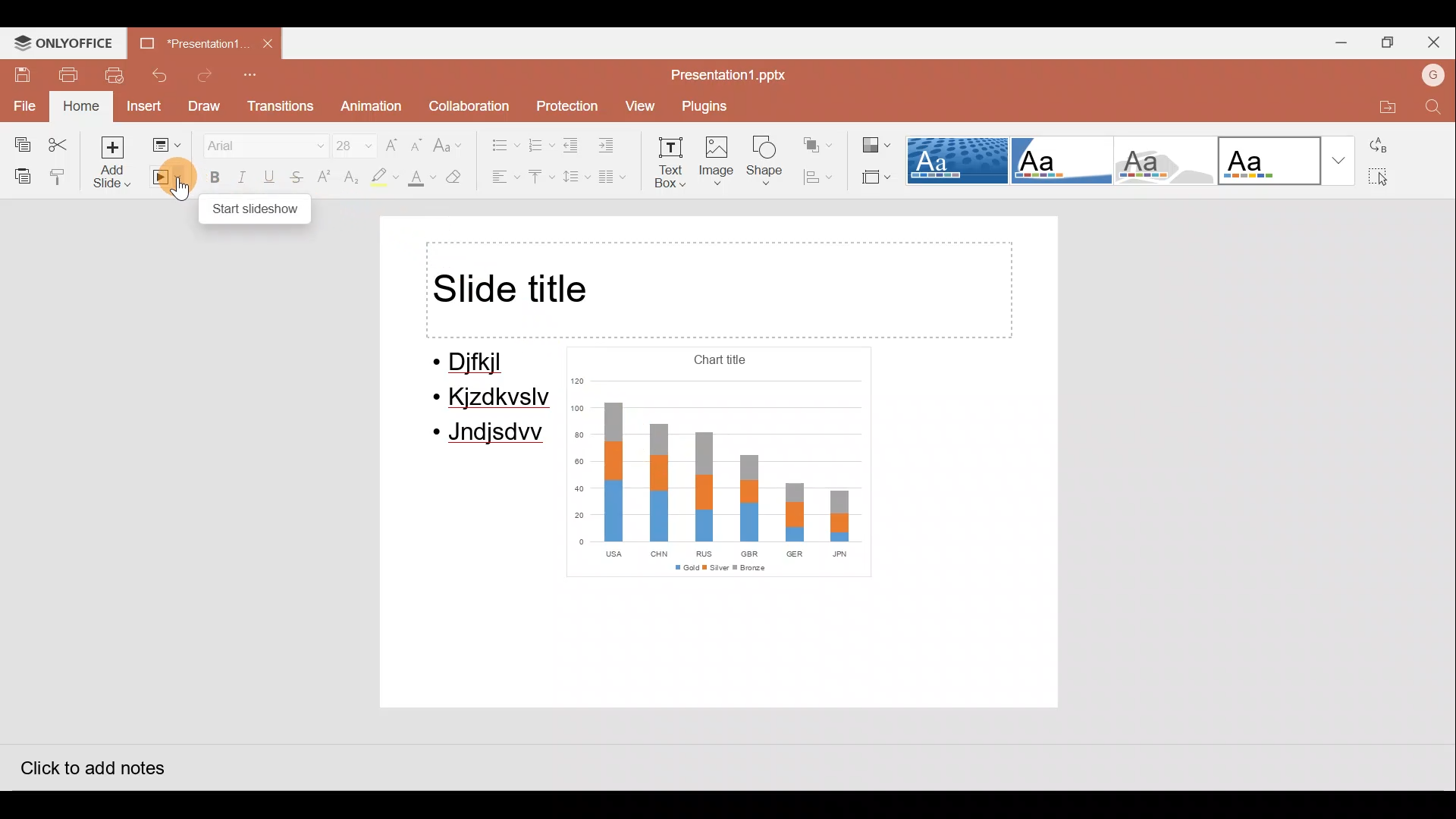 Image resolution: width=1456 pixels, height=819 pixels. I want to click on Font name, so click(262, 143).